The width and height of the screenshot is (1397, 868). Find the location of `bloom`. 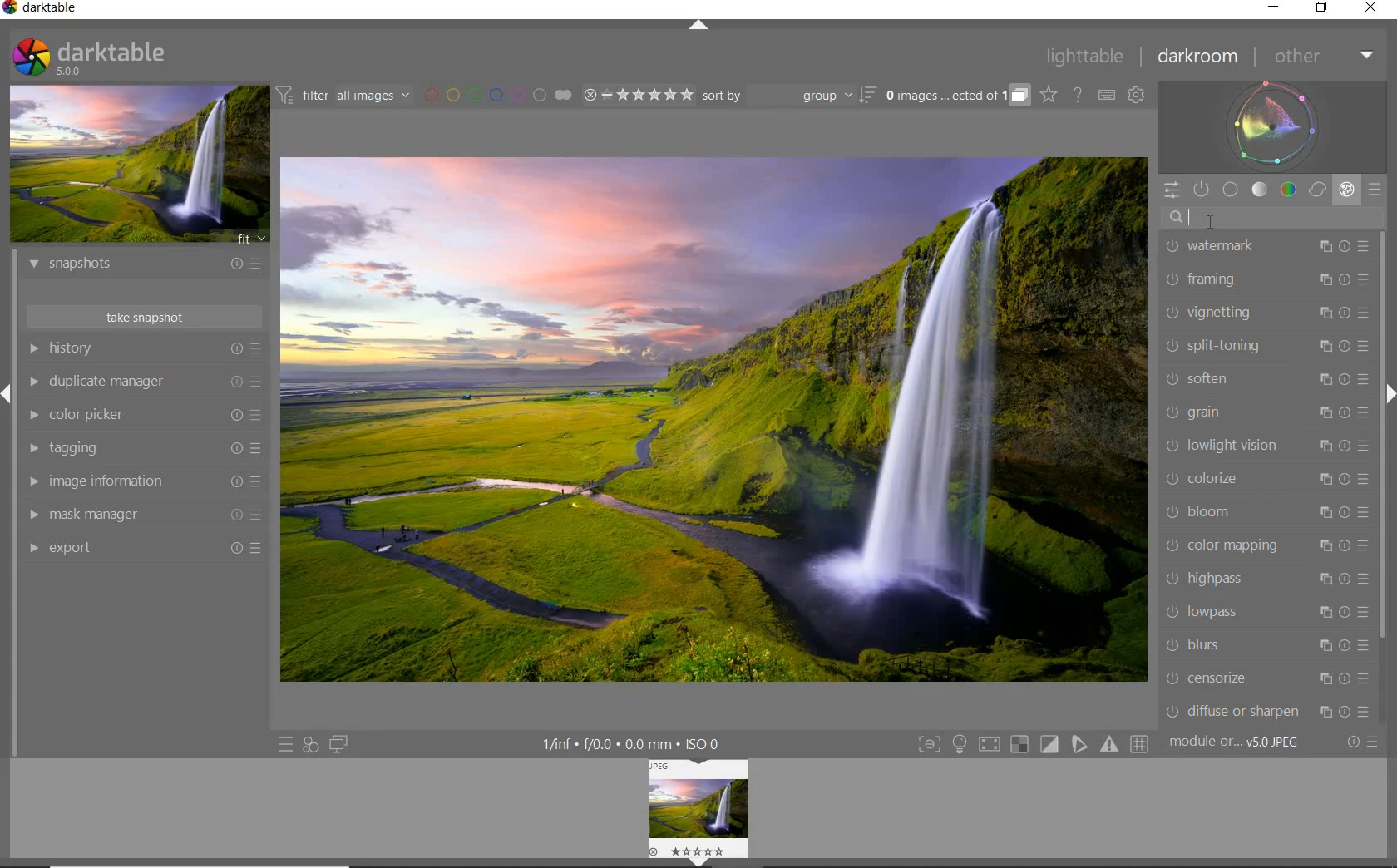

bloom is located at coordinates (1266, 513).